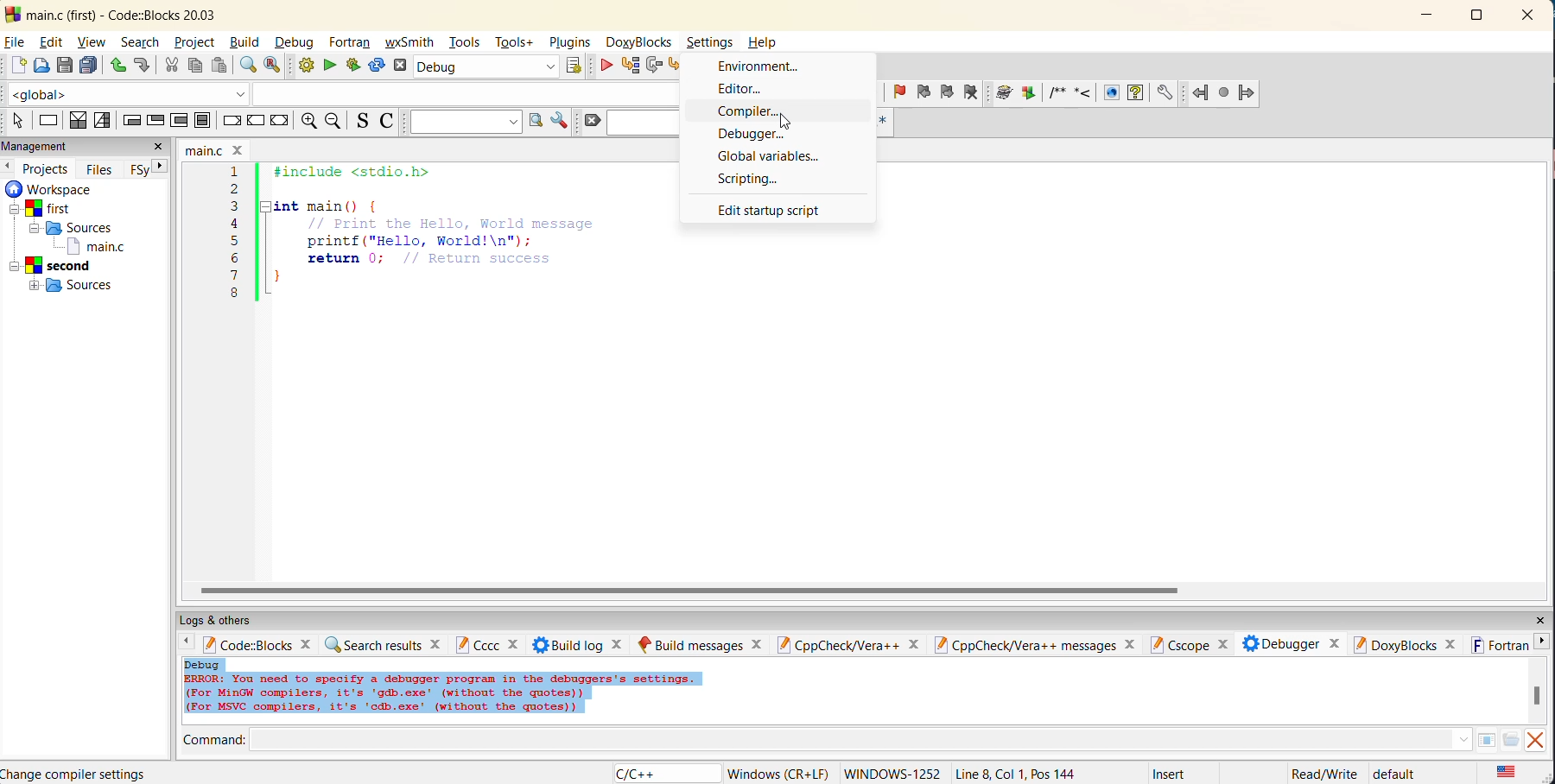 This screenshot has height=784, width=1555. Describe the element at coordinates (103, 168) in the screenshot. I see `files` at that location.